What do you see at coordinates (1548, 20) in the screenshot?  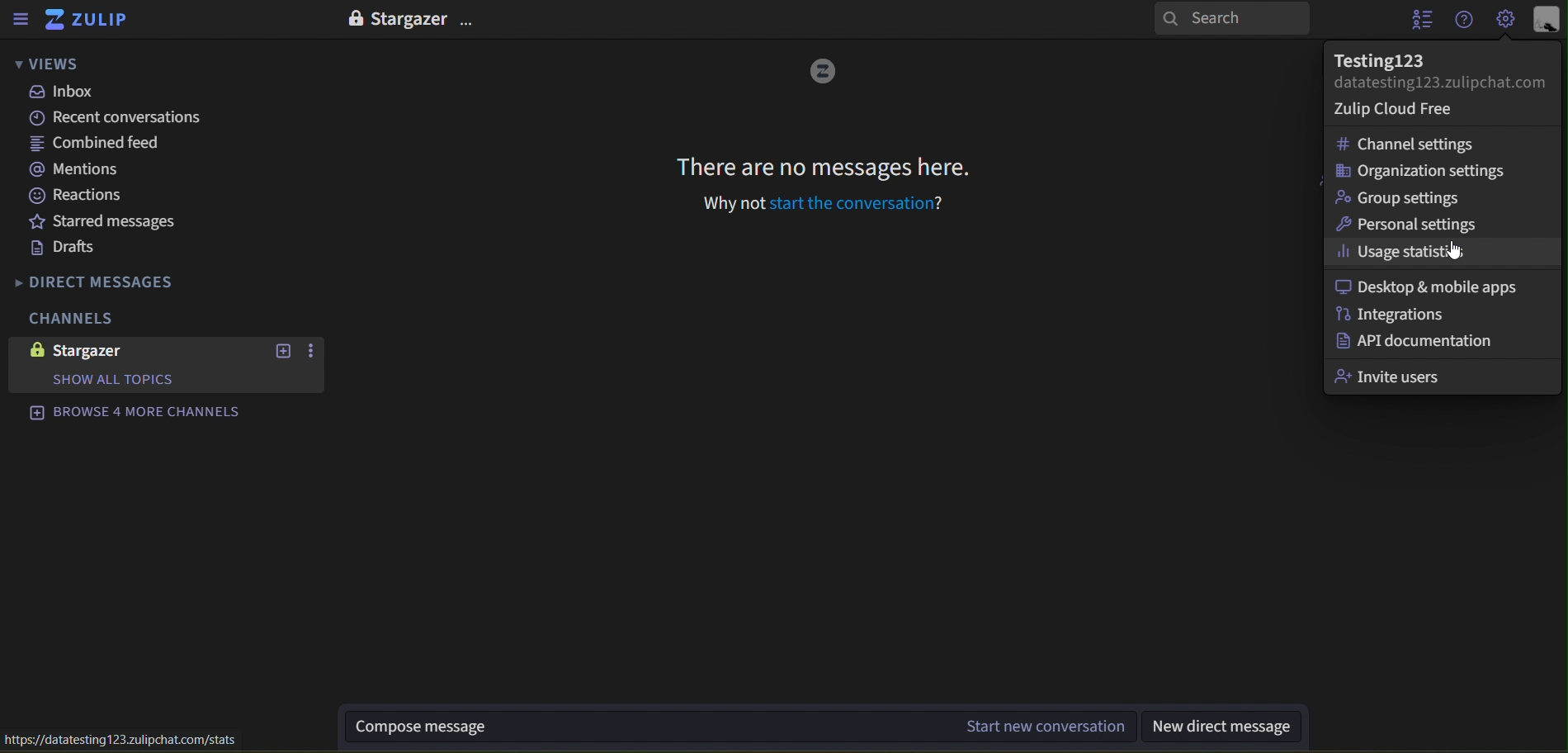 I see `view profile` at bounding box center [1548, 20].